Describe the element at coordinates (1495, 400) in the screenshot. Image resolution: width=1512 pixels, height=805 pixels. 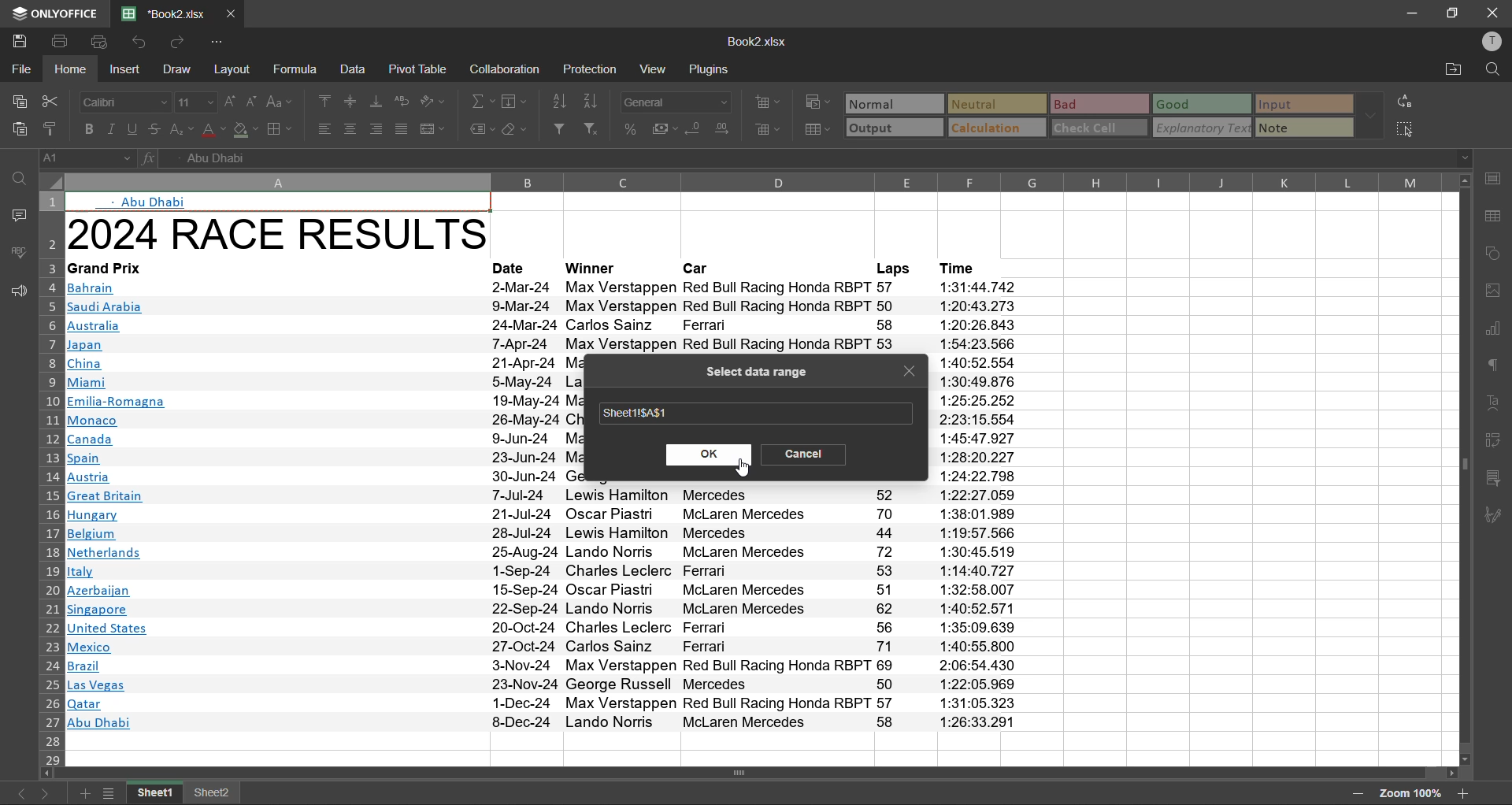
I see `text` at that location.